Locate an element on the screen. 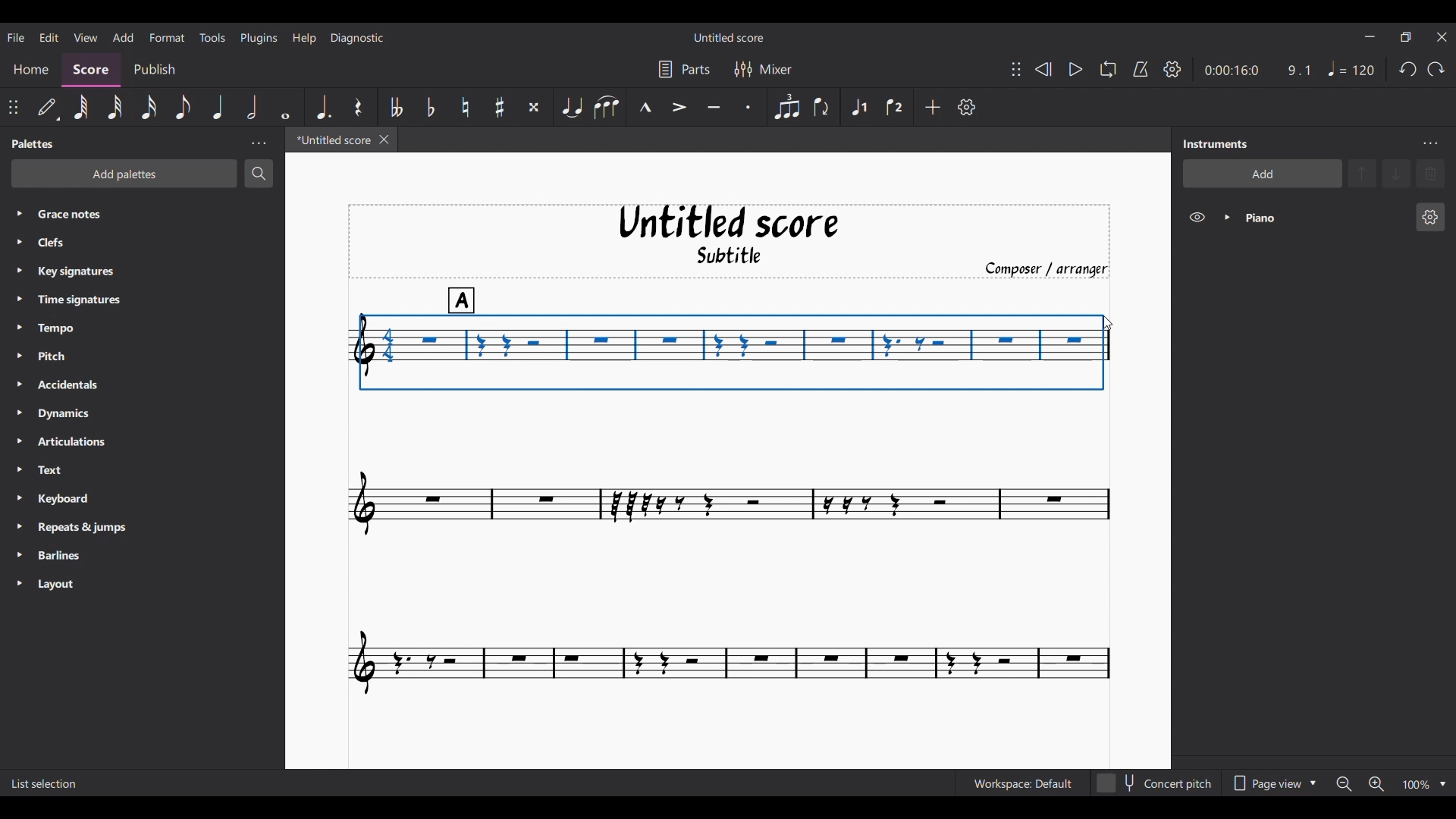 Image resolution: width=1456 pixels, height=819 pixels. Mixer settings is located at coordinates (763, 69).